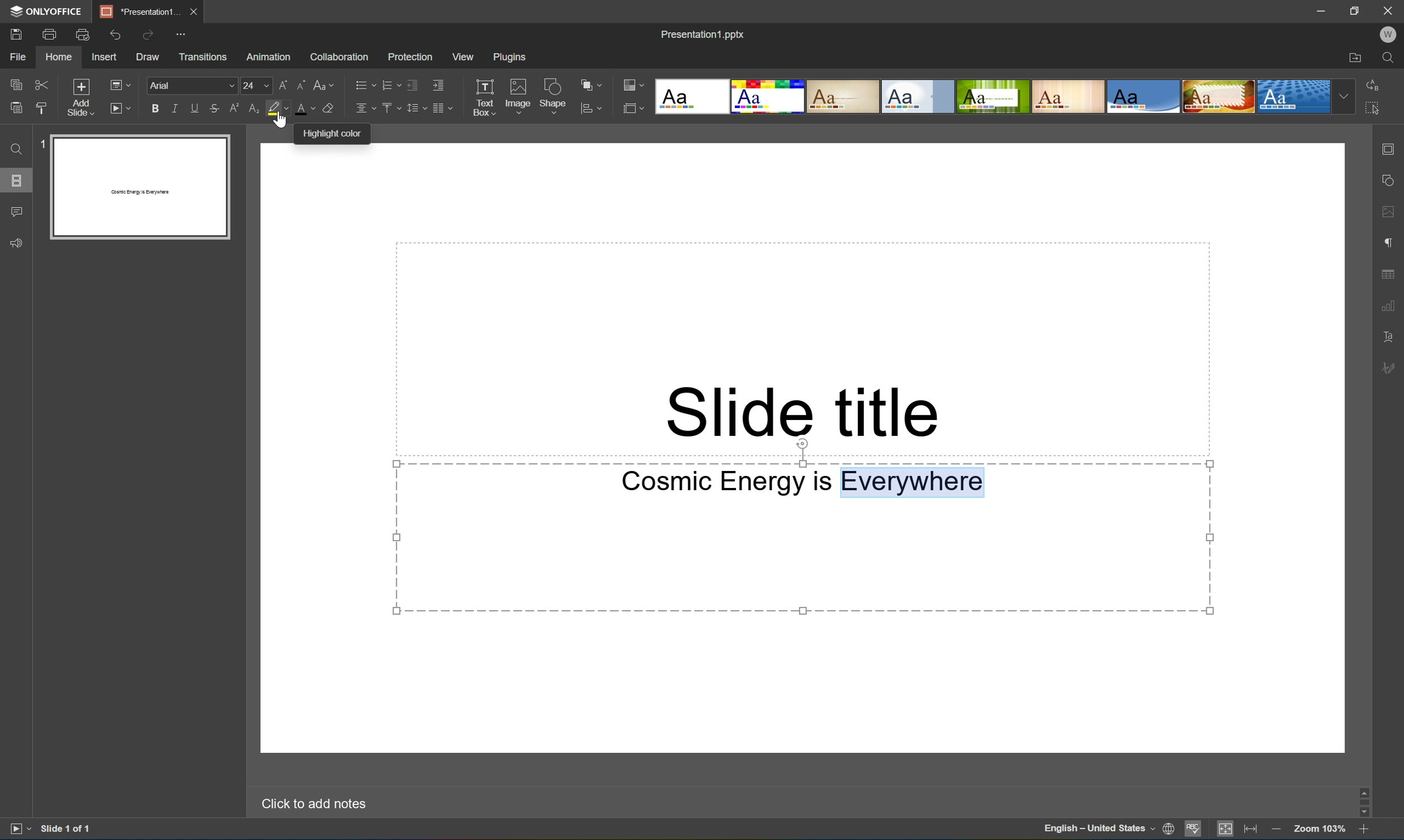  Describe the element at coordinates (519, 95) in the screenshot. I see `Image` at that location.